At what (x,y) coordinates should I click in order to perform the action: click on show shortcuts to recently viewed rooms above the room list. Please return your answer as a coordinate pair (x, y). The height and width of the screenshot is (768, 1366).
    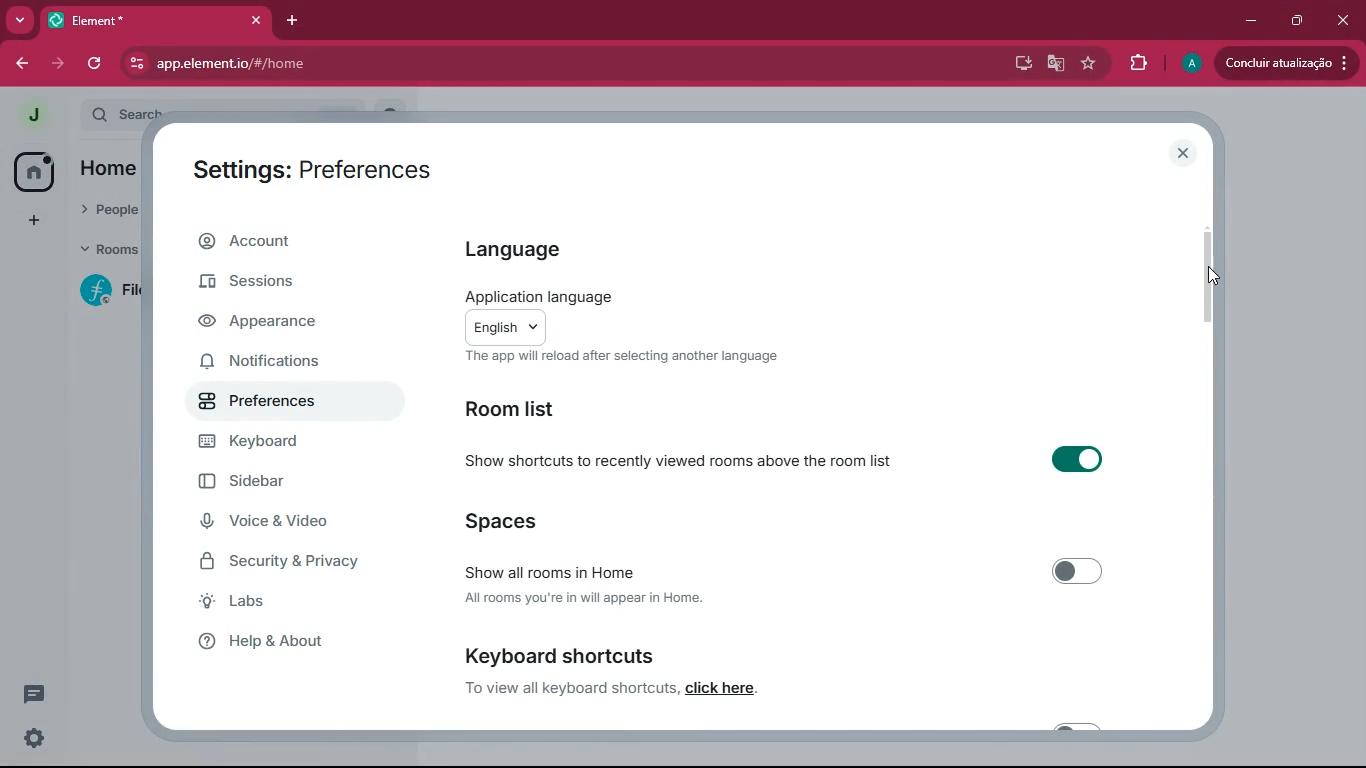
    Looking at the image, I should click on (794, 462).